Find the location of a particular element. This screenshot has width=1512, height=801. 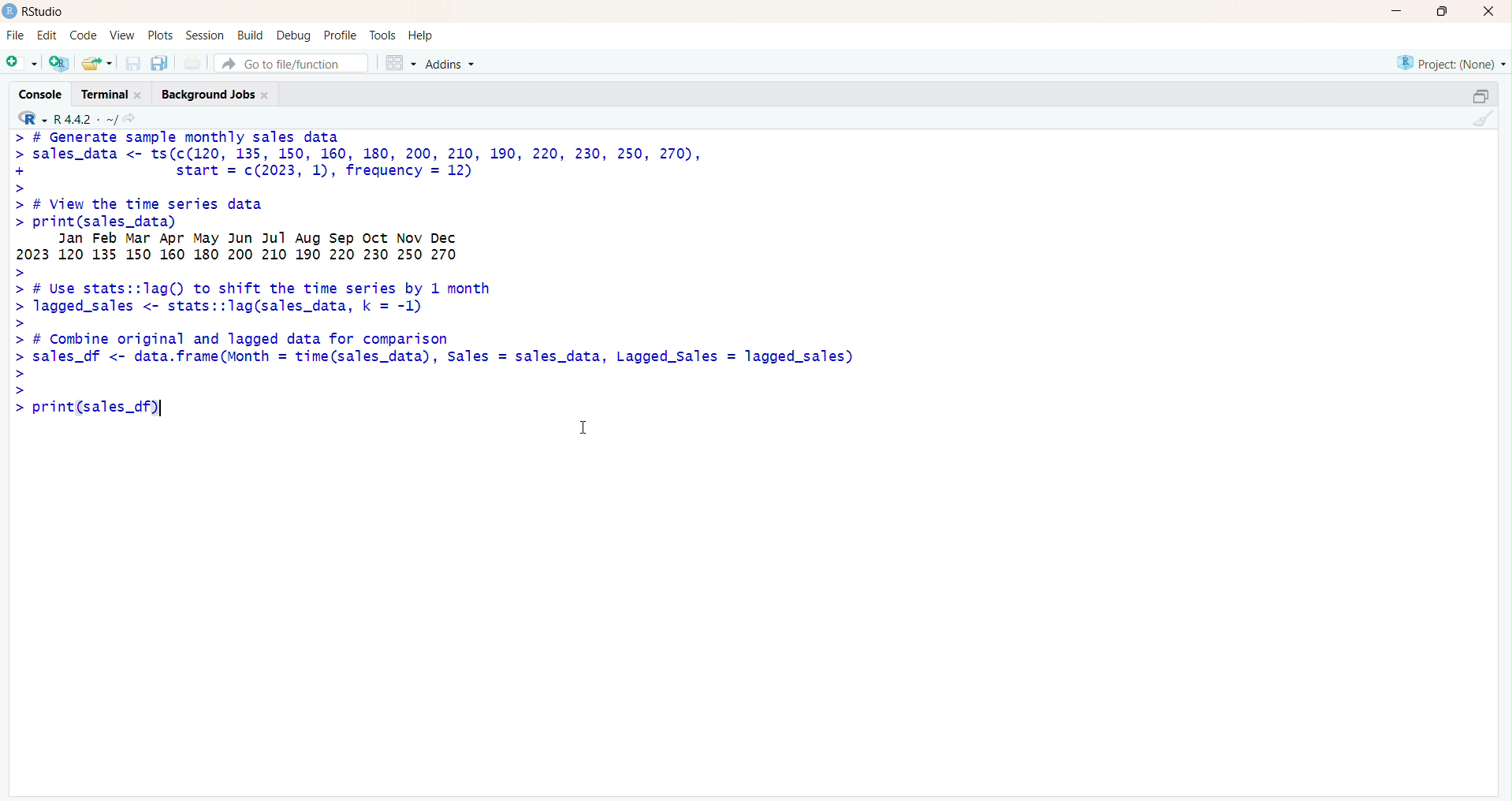

text cursor is located at coordinates (163, 408).